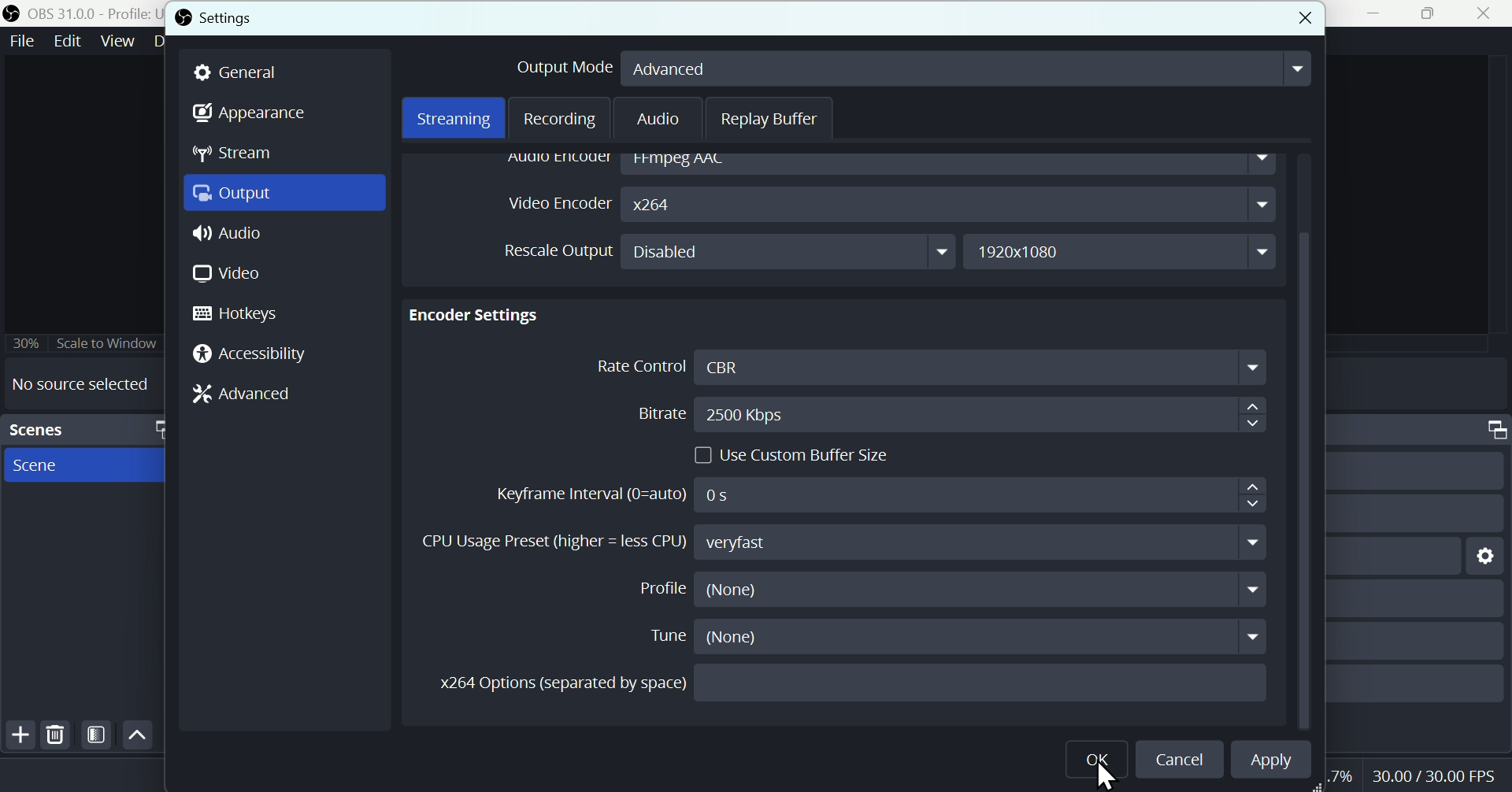 The height and width of the screenshot is (792, 1512). I want to click on Video, so click(226, 275).